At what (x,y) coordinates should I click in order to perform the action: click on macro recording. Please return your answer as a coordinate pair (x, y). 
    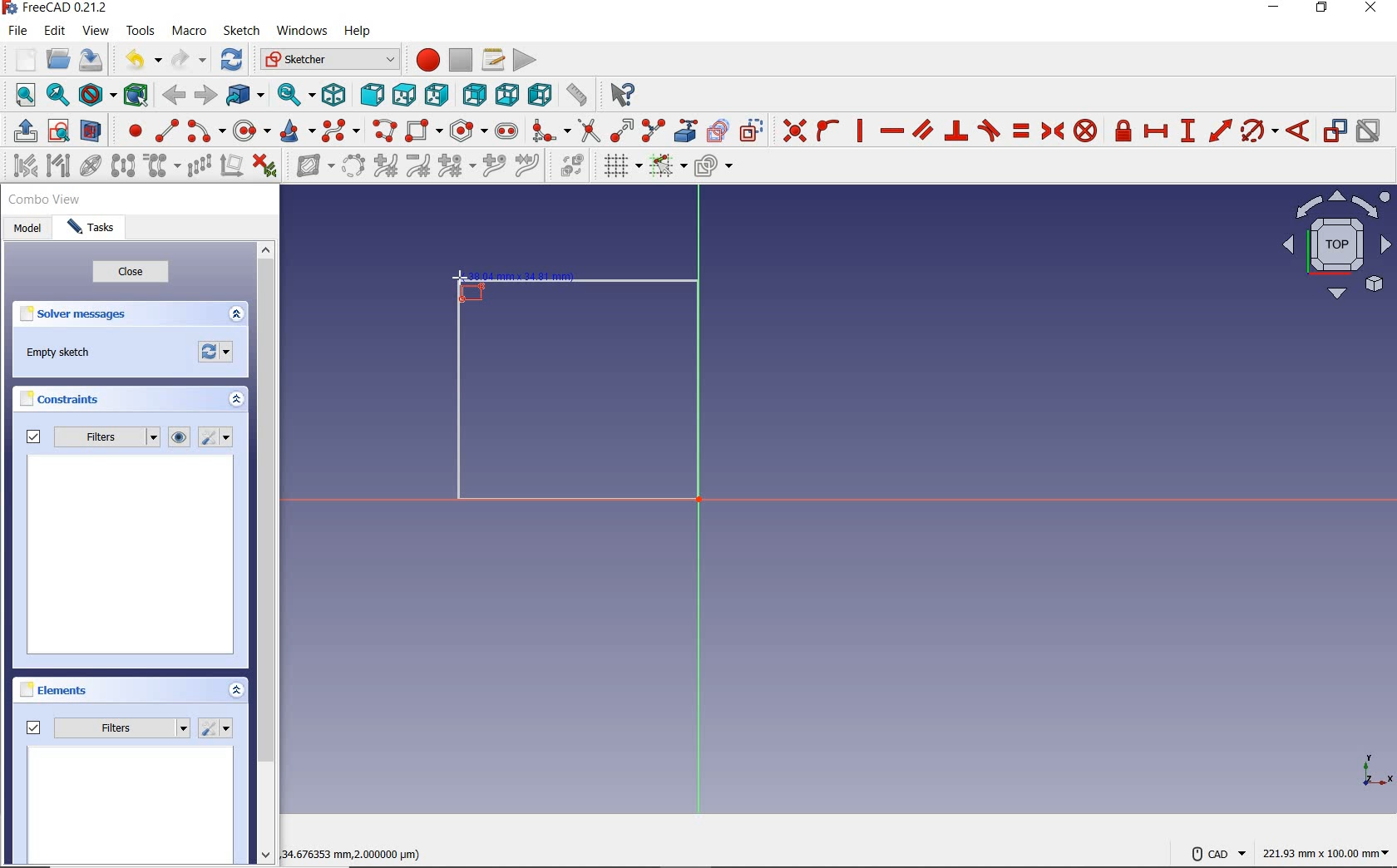
    Looking at the image, I should click on (426, 60).